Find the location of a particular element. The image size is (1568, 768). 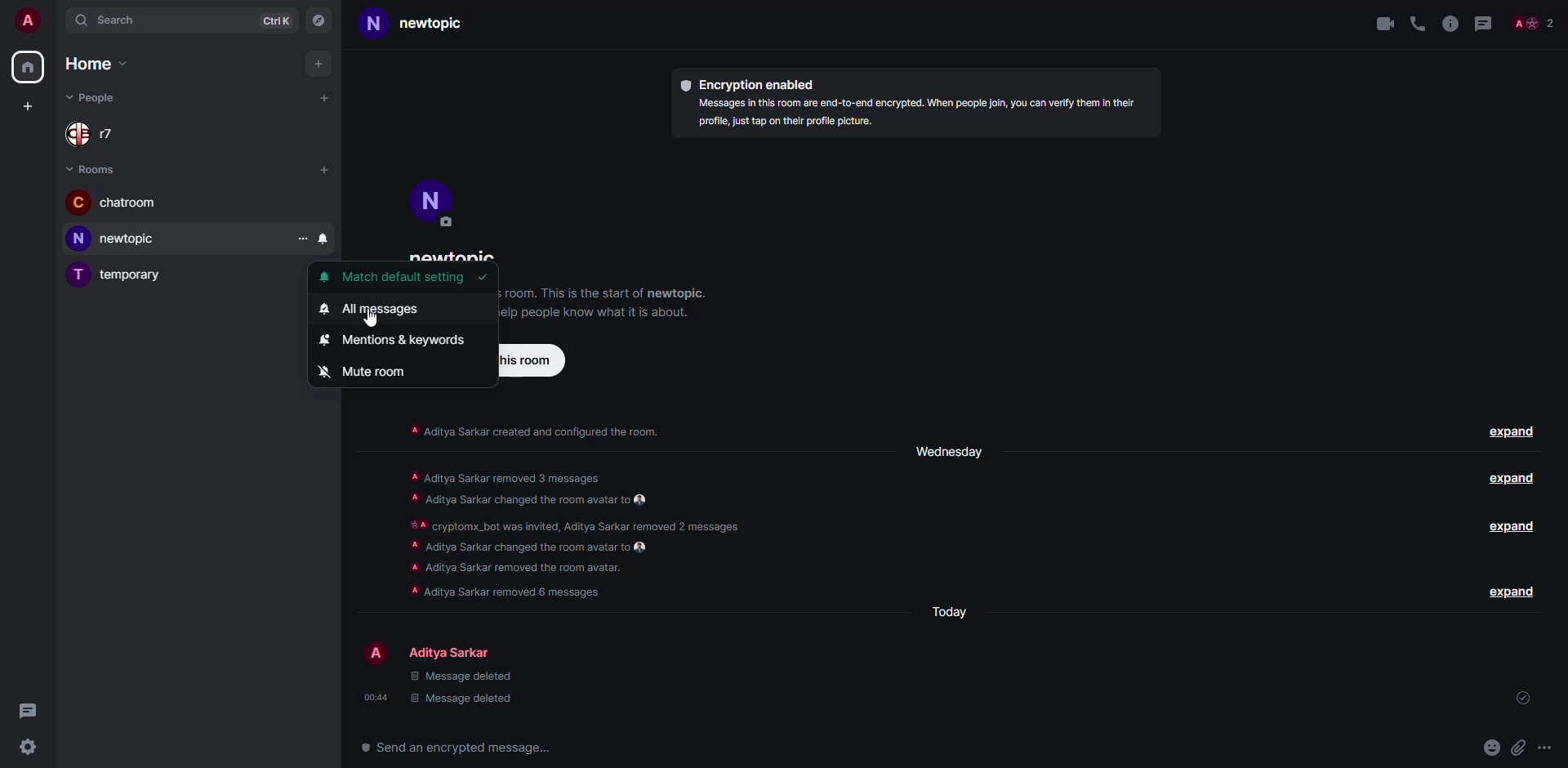

more is located at coordinates (1544, 748).